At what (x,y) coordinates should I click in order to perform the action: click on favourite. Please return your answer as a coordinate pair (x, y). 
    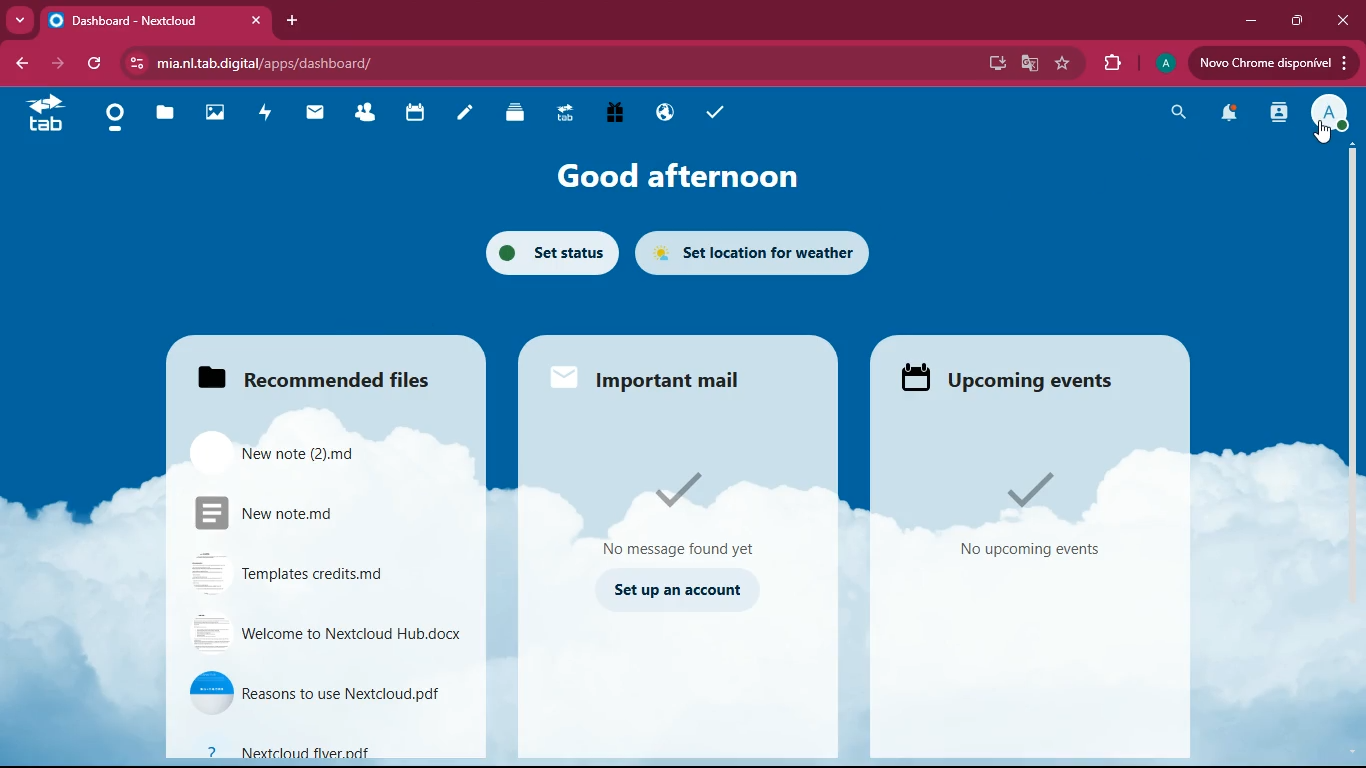
    Looking at the image, I should click on (1063, 64).